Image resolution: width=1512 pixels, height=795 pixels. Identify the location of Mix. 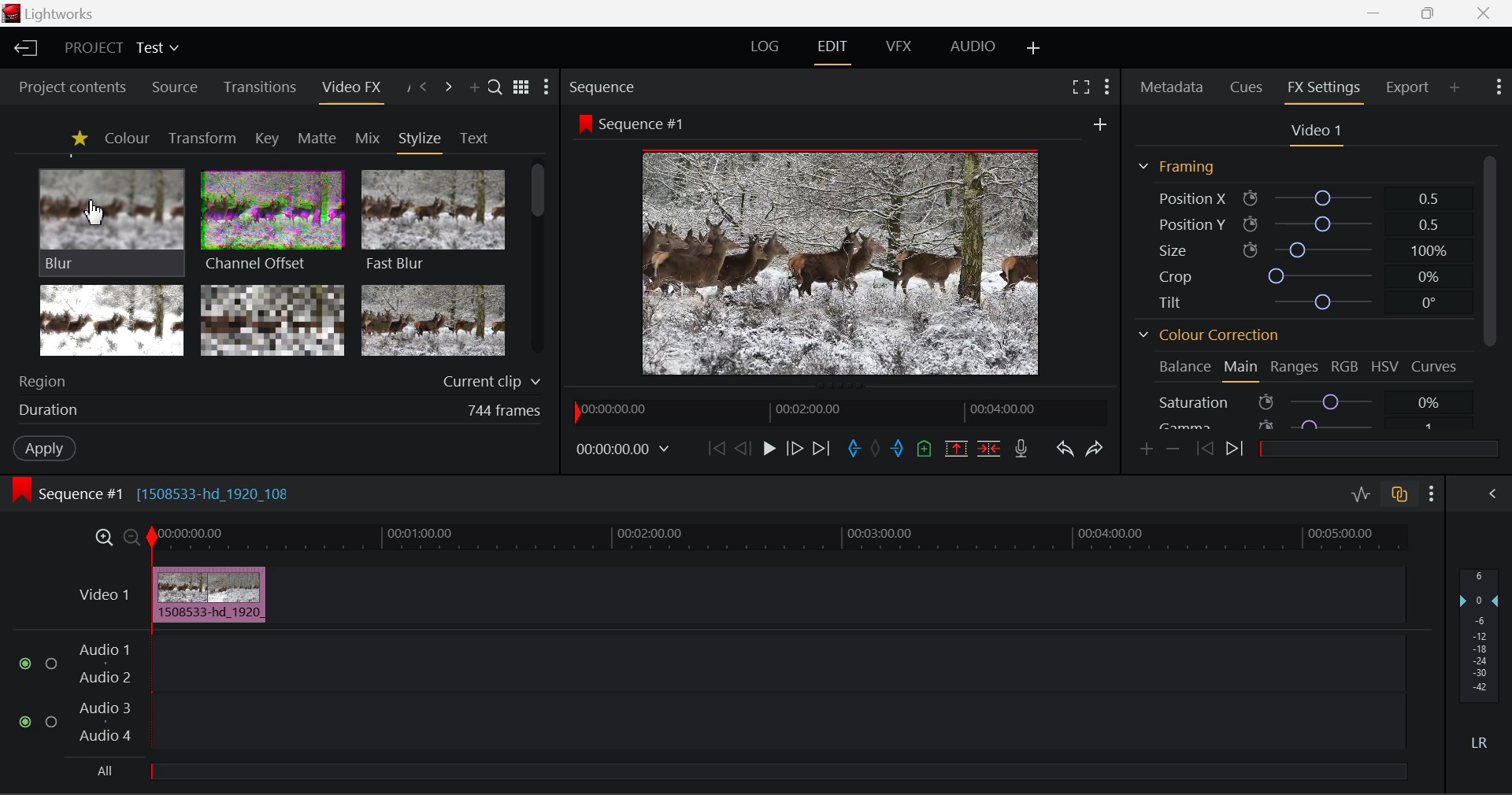
(367, 137).